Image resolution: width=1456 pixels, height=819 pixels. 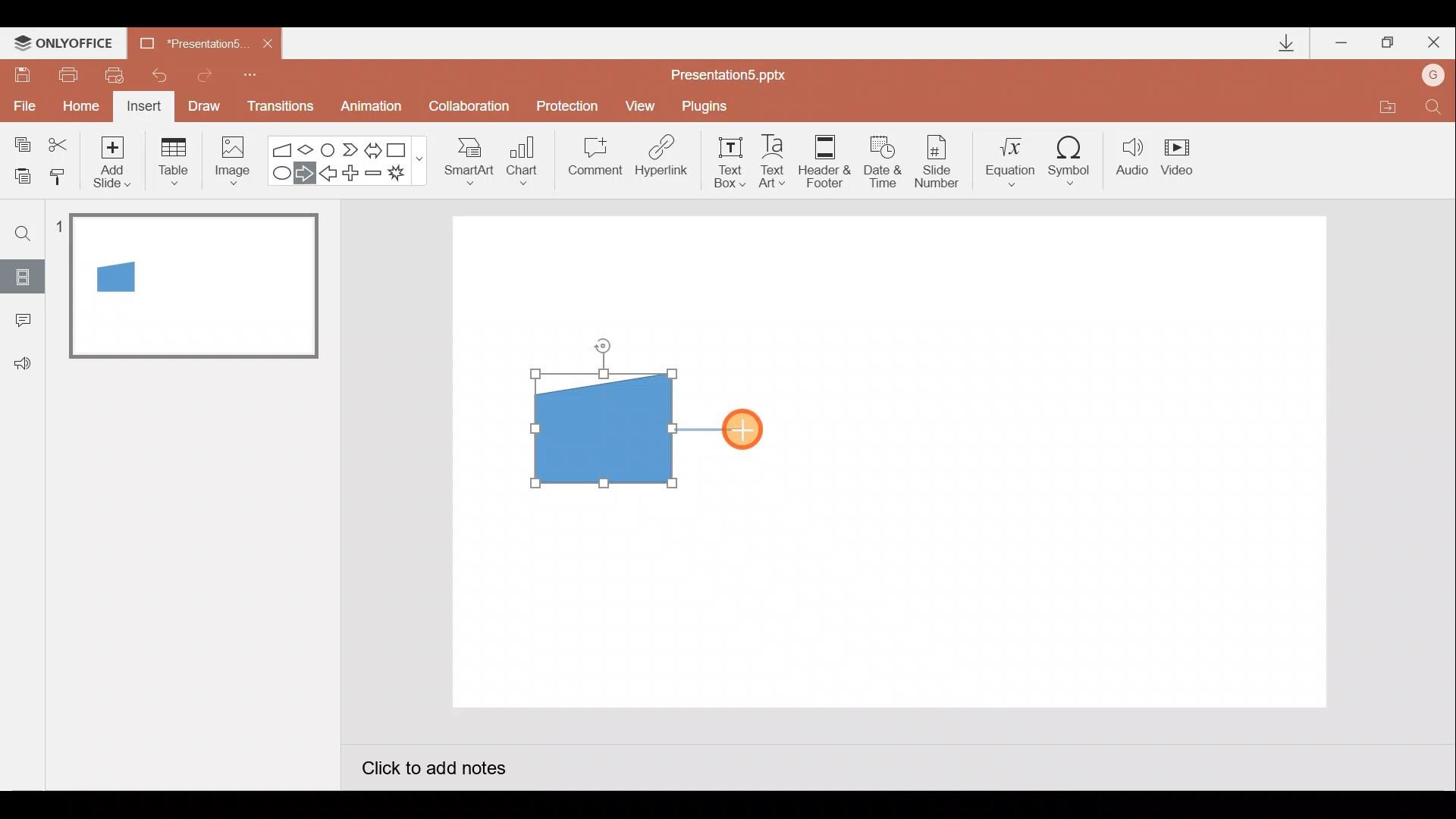 What do you see at coordinates (739, 71) in the screenshot?
I see `Presentation5.pptx` at bounding box center [739, 71].